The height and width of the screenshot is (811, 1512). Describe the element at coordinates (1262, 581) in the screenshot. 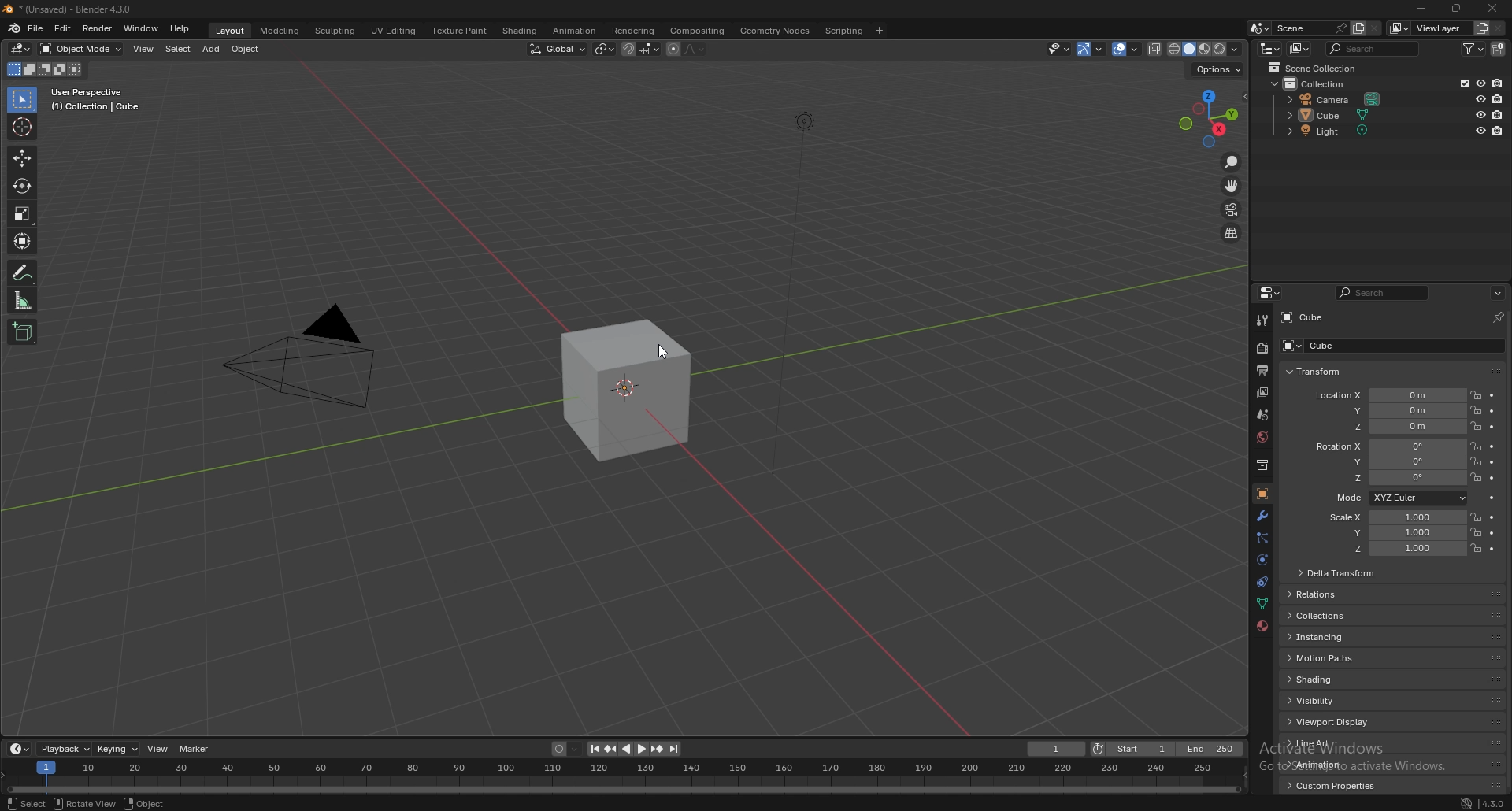

I see `constraints` at that location.